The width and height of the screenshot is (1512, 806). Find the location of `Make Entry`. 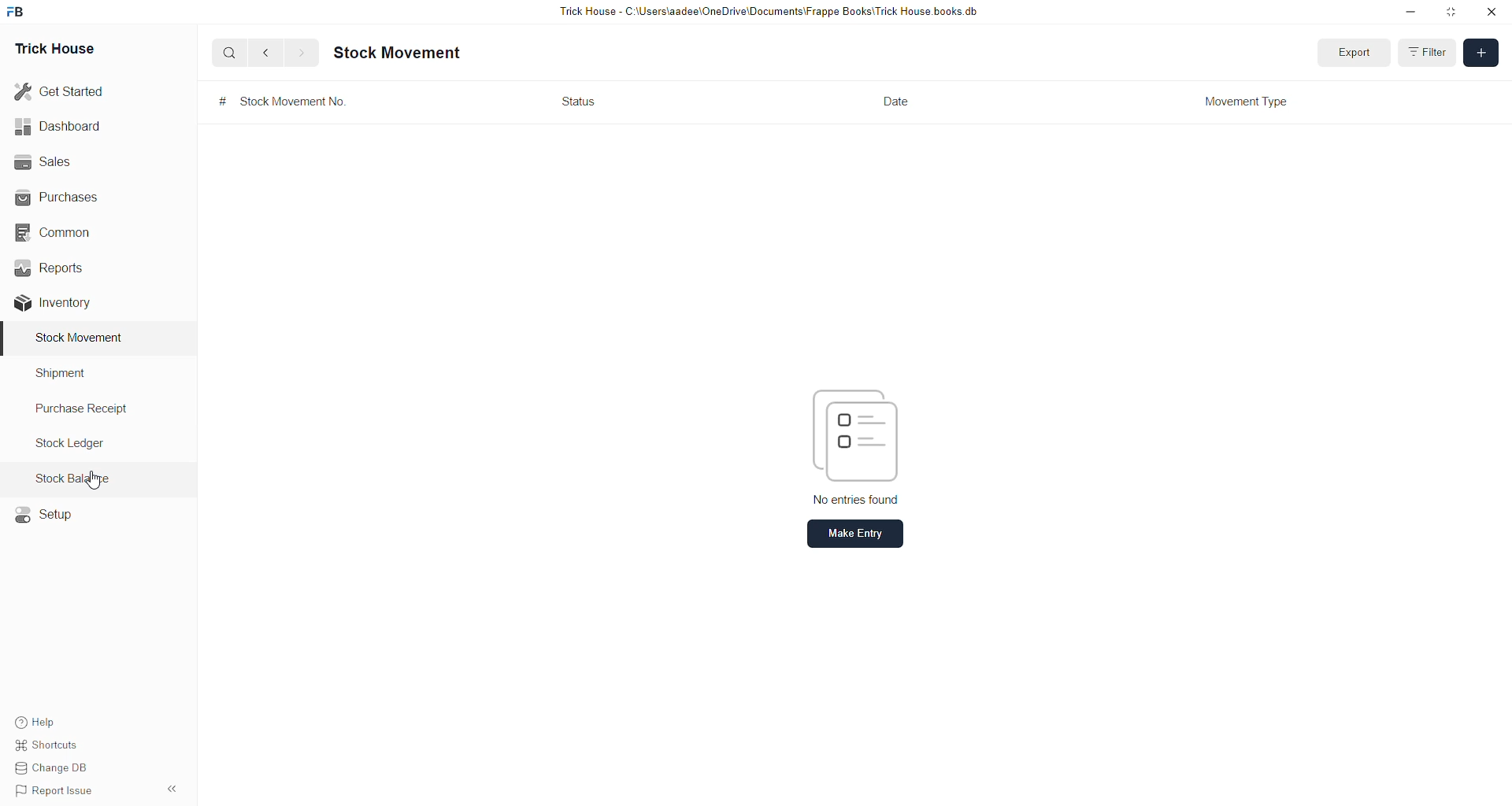

Make Entry is located at coordinates (848, 536).